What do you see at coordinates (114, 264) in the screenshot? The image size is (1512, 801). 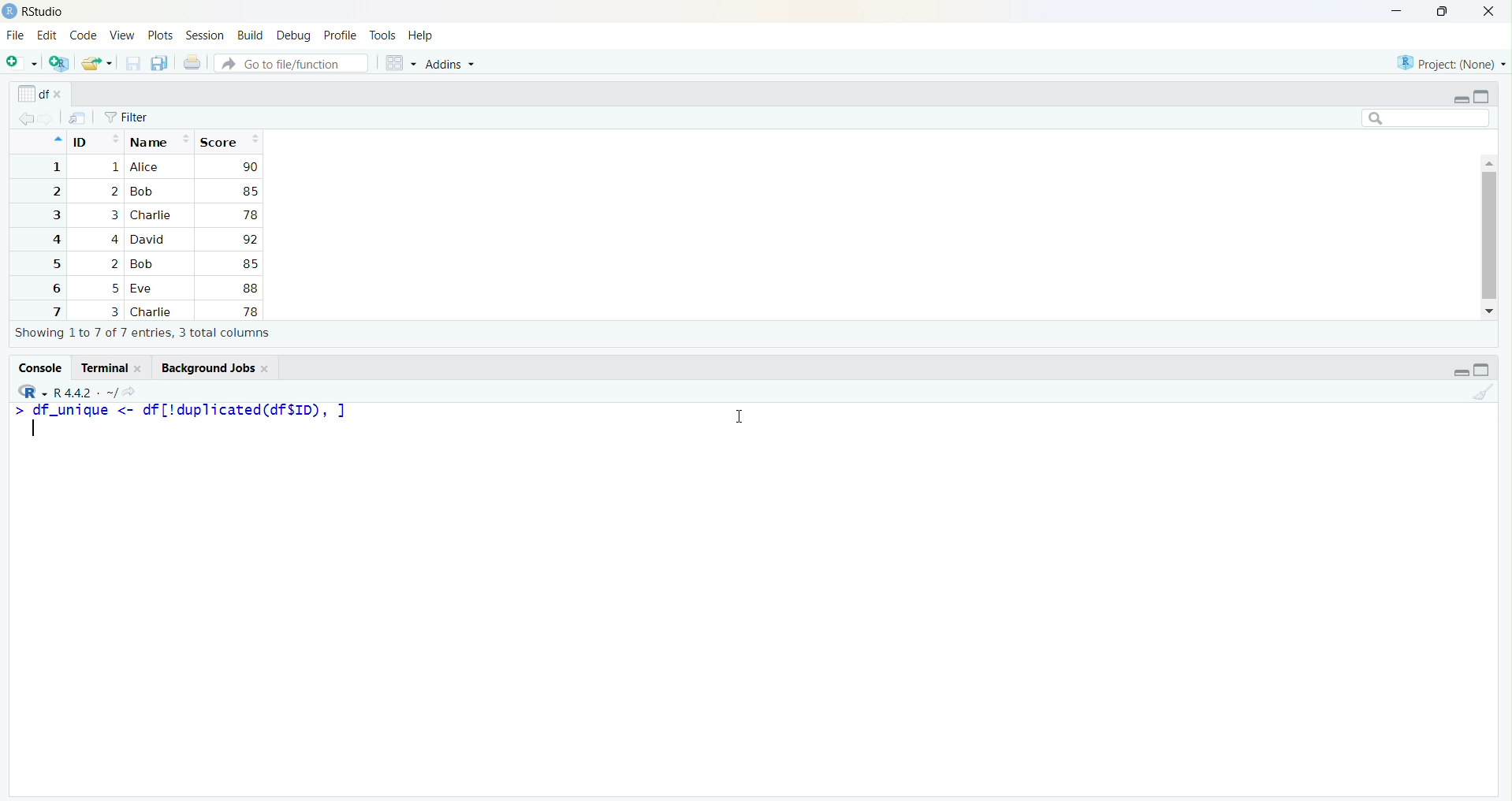 I see `2` at bounding box center [114, 264].